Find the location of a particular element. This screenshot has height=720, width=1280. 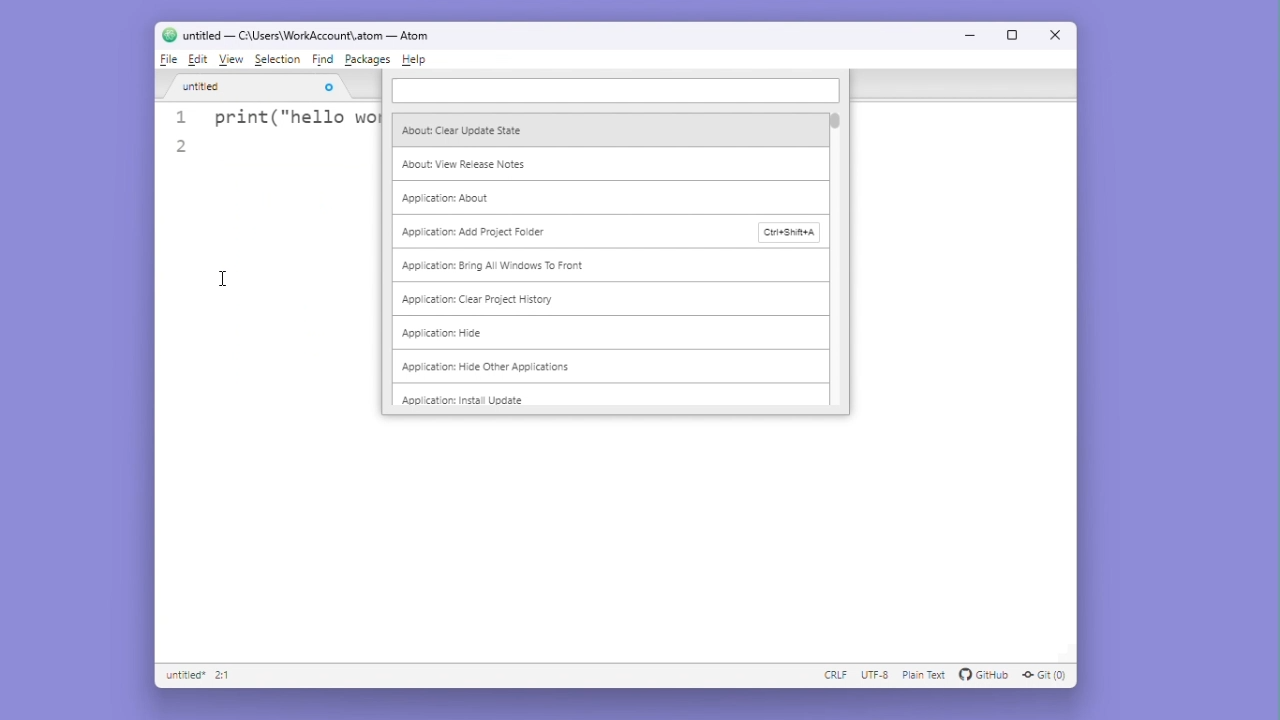

untitled* is located at coordinates (181, 676).